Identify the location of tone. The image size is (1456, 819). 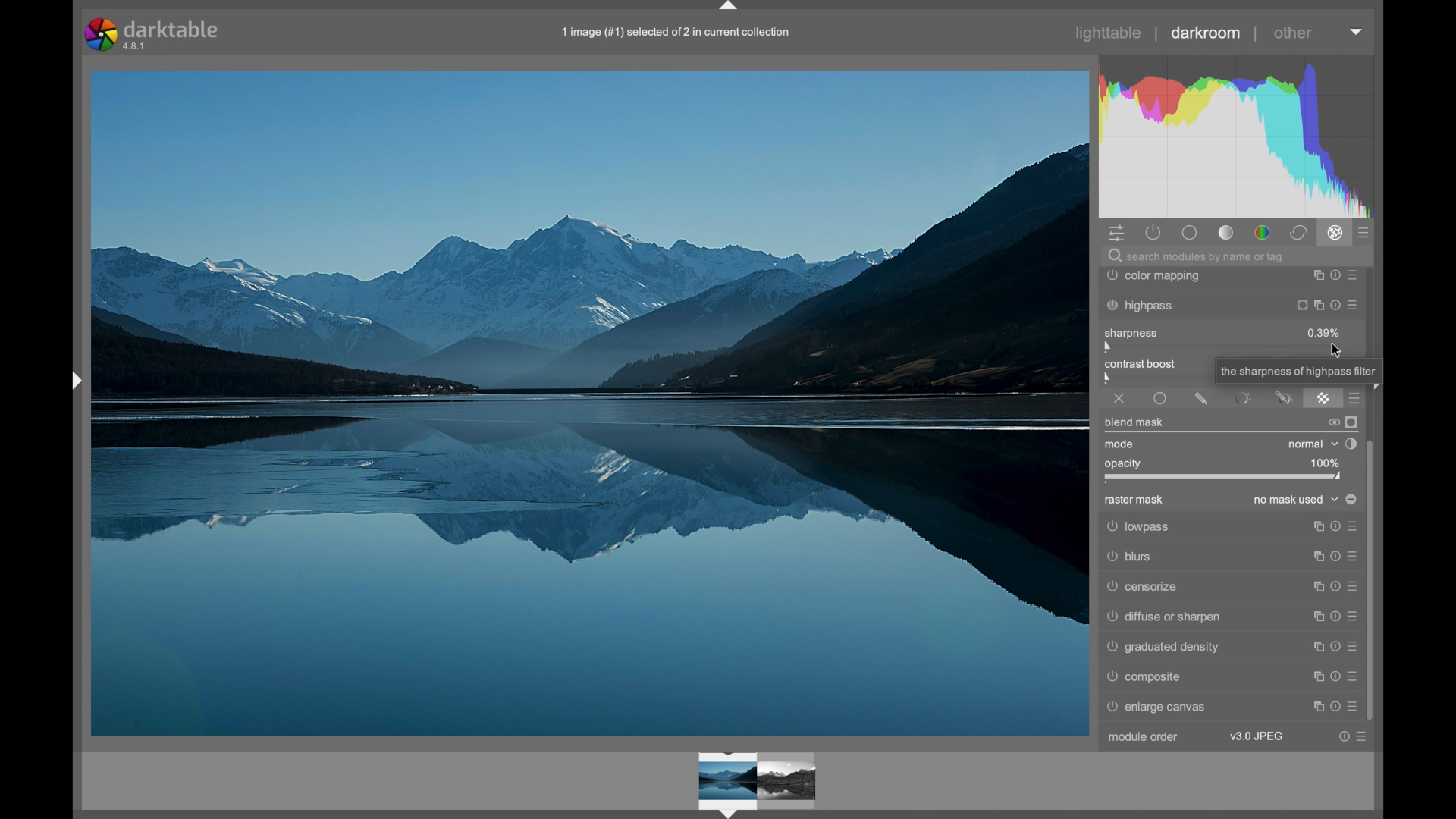
(1227, 233).